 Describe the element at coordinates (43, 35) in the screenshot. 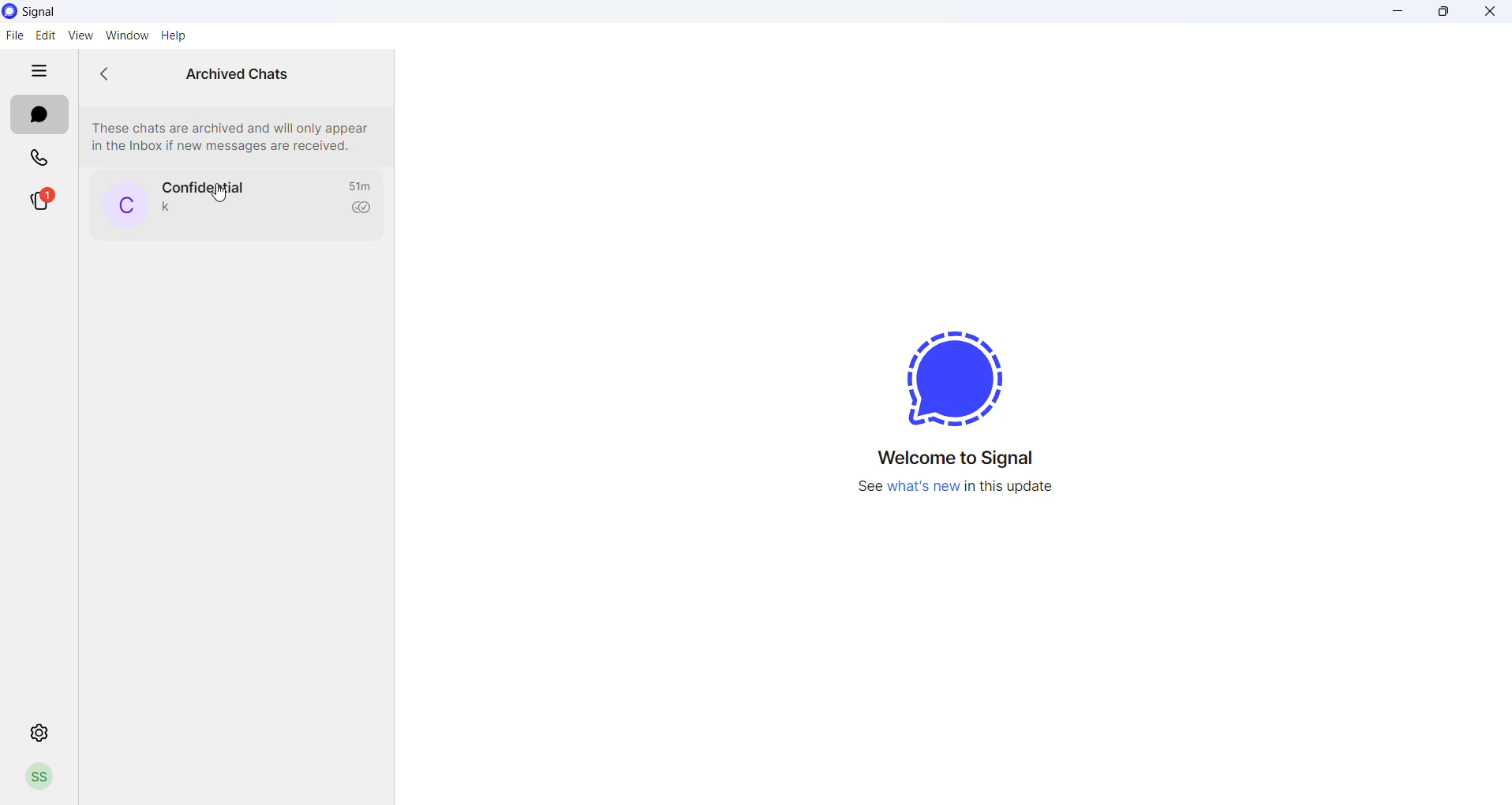

I see `edit` at that location.